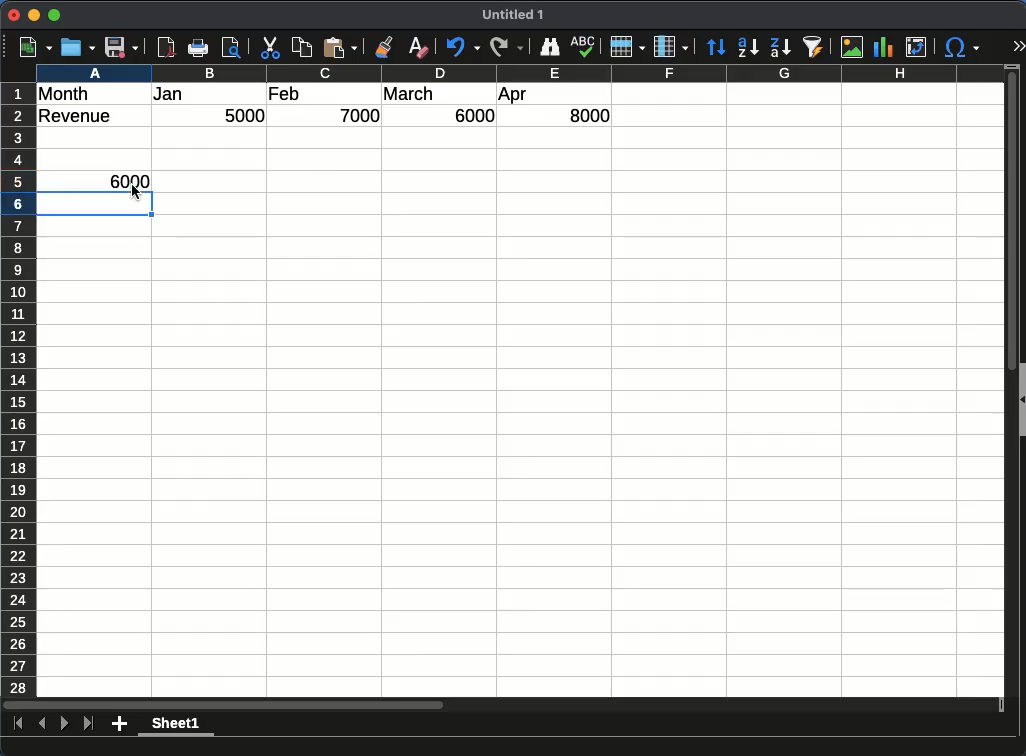  Describe the element at coordinates (962, 47) in the screenshot. I see `special character` at that location.